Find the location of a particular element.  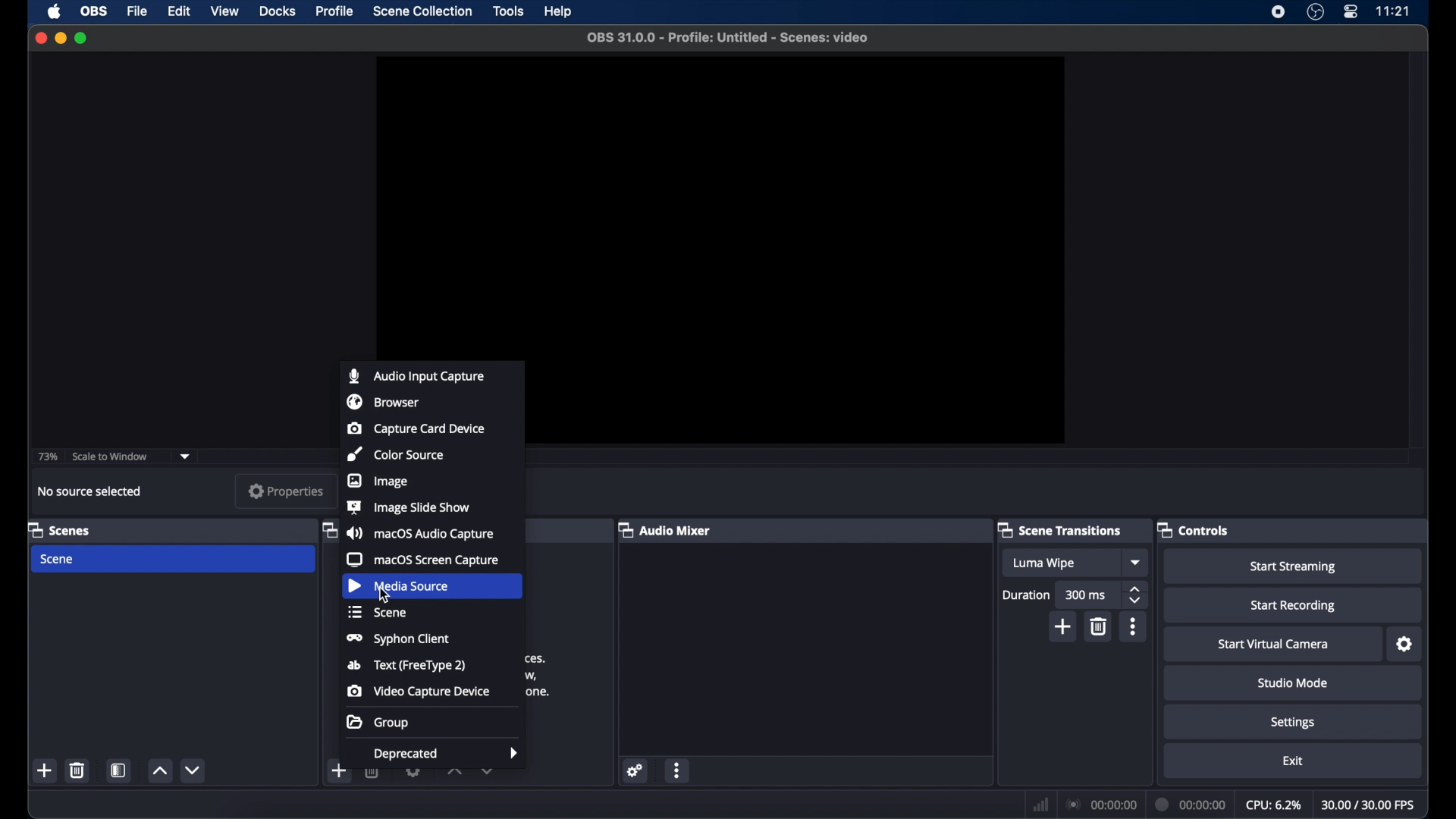

duration is located at coordinates (1191, 805).